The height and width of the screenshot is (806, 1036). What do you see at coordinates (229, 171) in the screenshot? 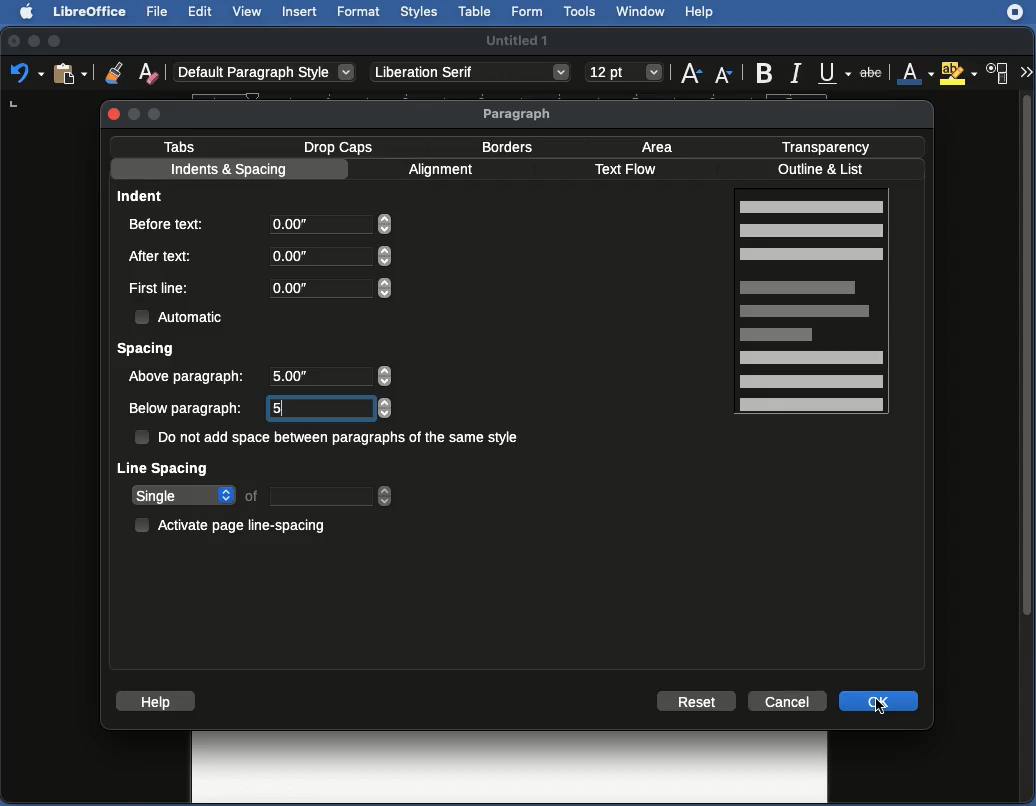
I see `Indents and spacing` at bounding box center [229, 171].